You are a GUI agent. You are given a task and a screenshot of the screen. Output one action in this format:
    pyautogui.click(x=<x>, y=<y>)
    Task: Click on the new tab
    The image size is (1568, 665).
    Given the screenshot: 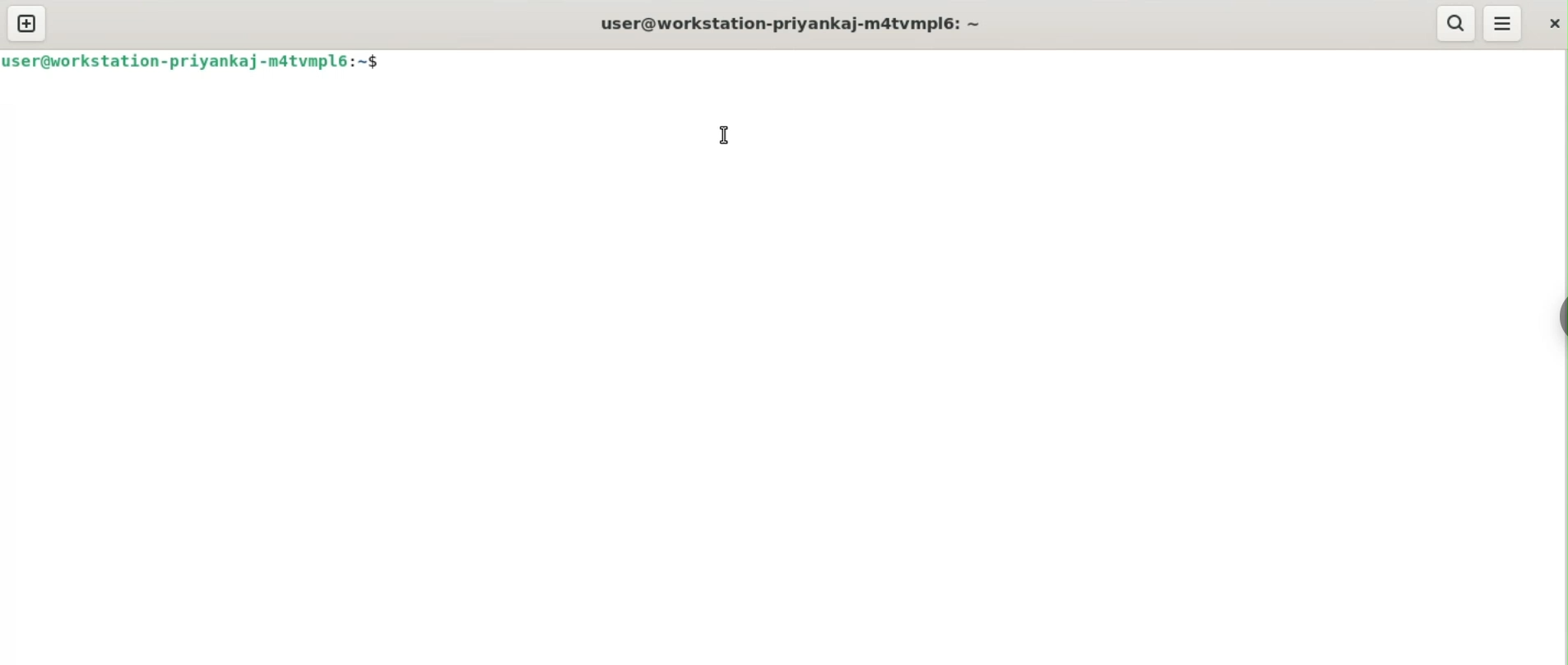 What is the action you would take?
    pyautogui.click(x=26, y=23)
    